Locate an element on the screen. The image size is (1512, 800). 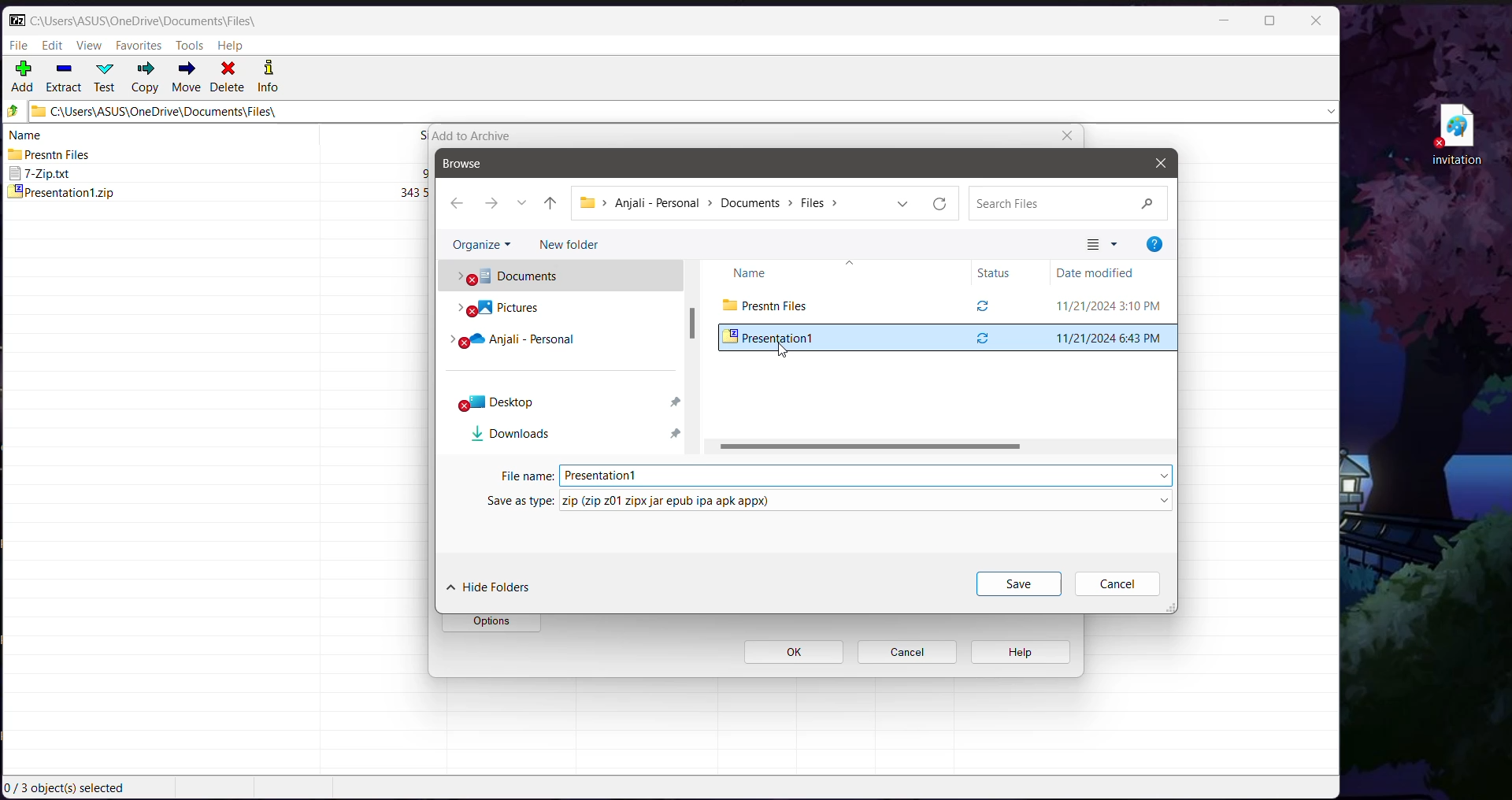
options is located at coordinates (493, 624).